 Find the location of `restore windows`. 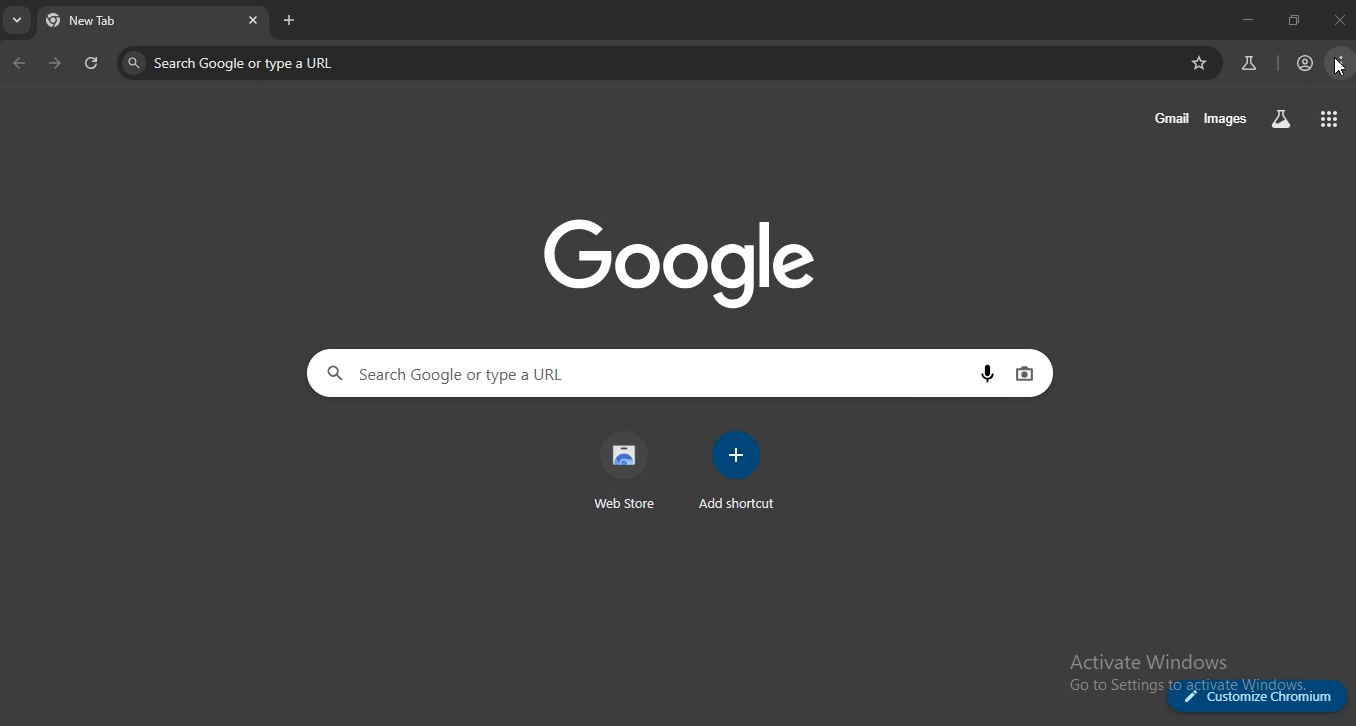

restore windows is located at coordinates (1295, 20).